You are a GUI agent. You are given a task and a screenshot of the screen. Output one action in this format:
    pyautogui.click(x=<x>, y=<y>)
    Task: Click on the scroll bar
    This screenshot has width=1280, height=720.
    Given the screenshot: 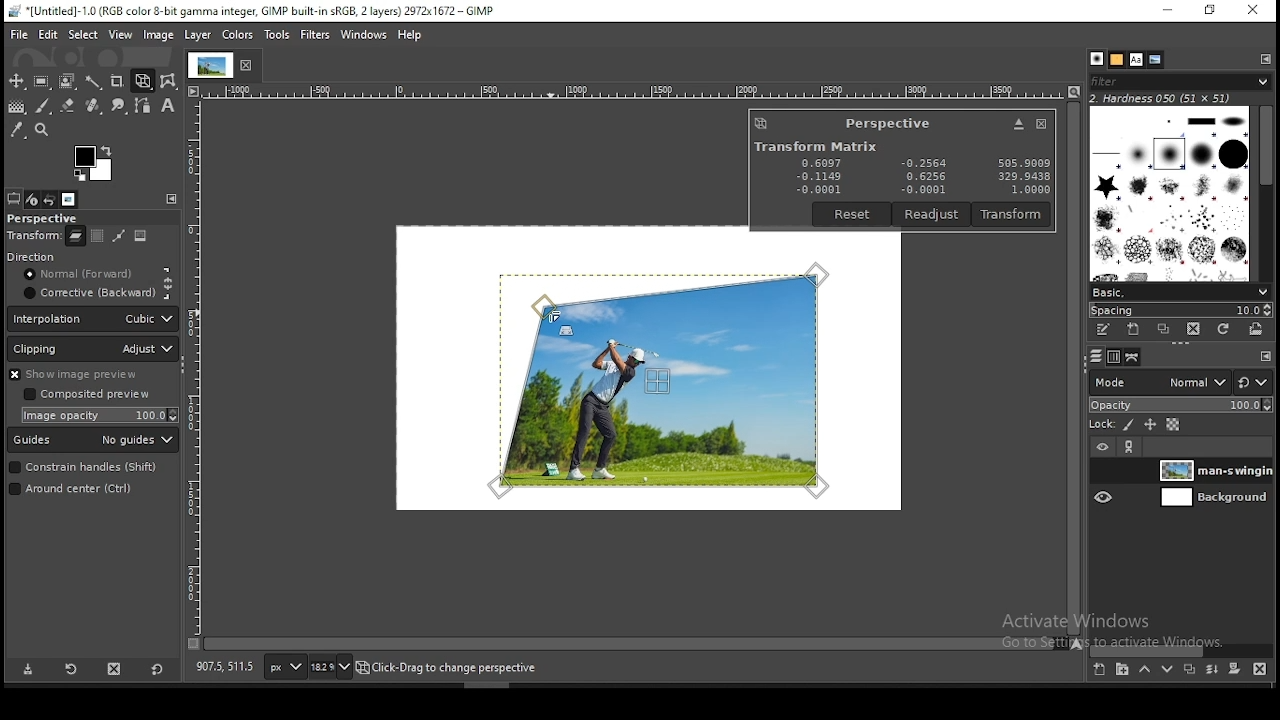 What is the action you would take?
    pyautogui.click(x=1265, y=194)
    